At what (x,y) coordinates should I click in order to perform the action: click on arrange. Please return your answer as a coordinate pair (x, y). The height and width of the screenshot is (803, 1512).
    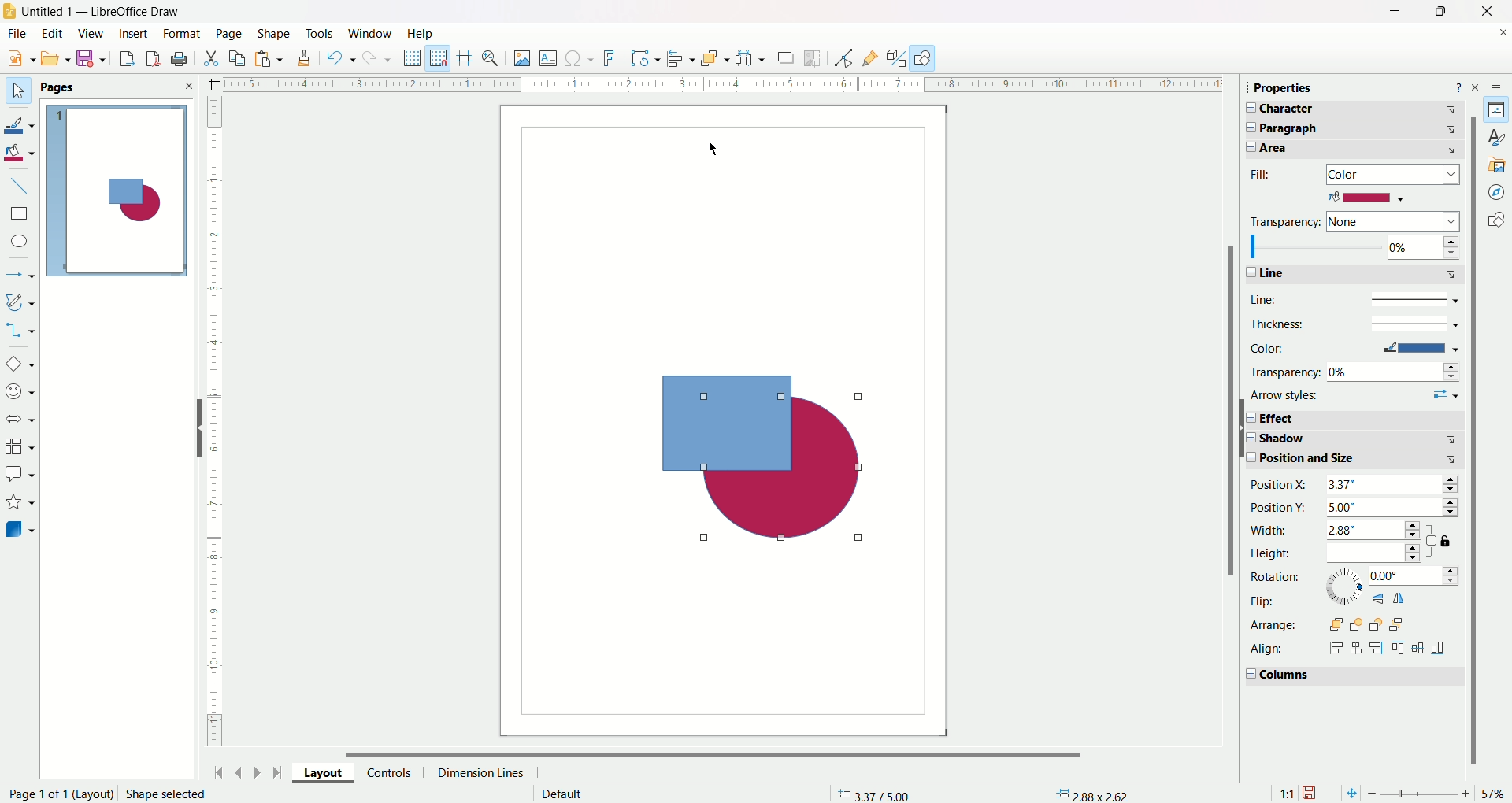
    Looking at the image, I should click on (1332, 624).